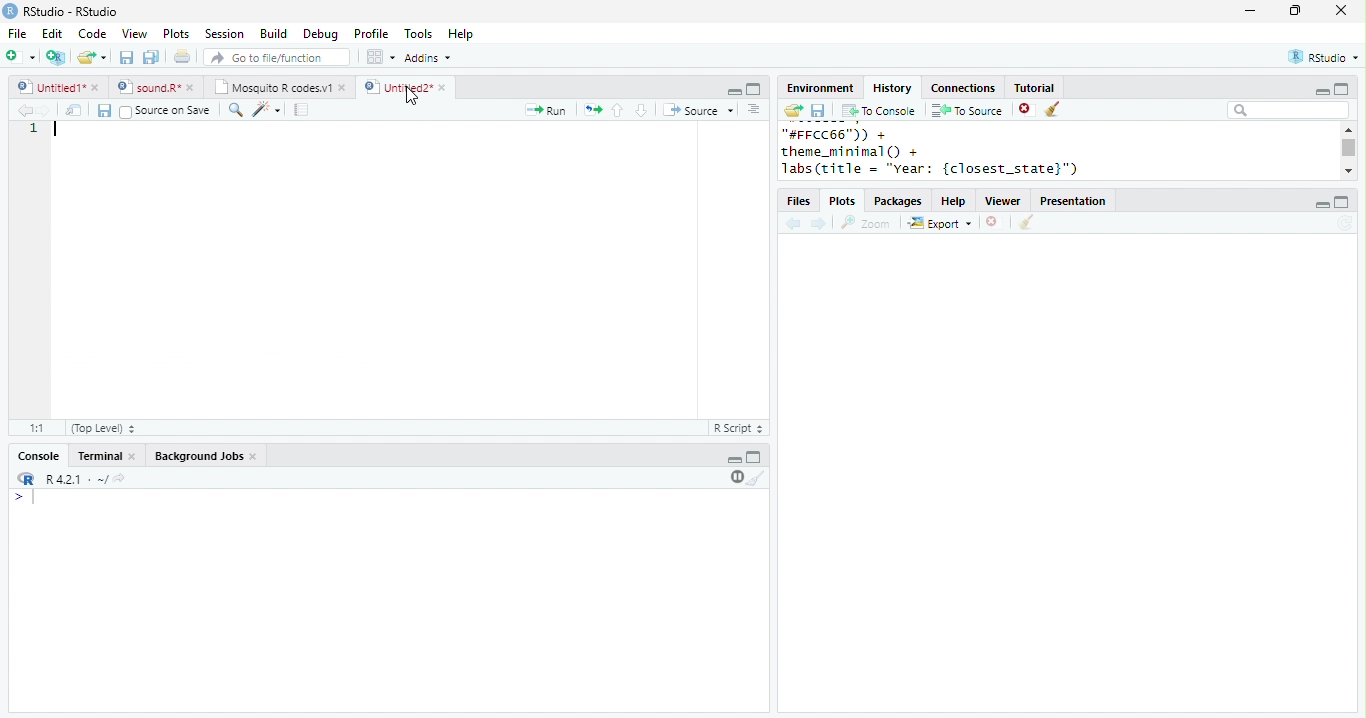 The width and height of the screenshot is (1366, 718). I want to click on search, so click(236, 110).